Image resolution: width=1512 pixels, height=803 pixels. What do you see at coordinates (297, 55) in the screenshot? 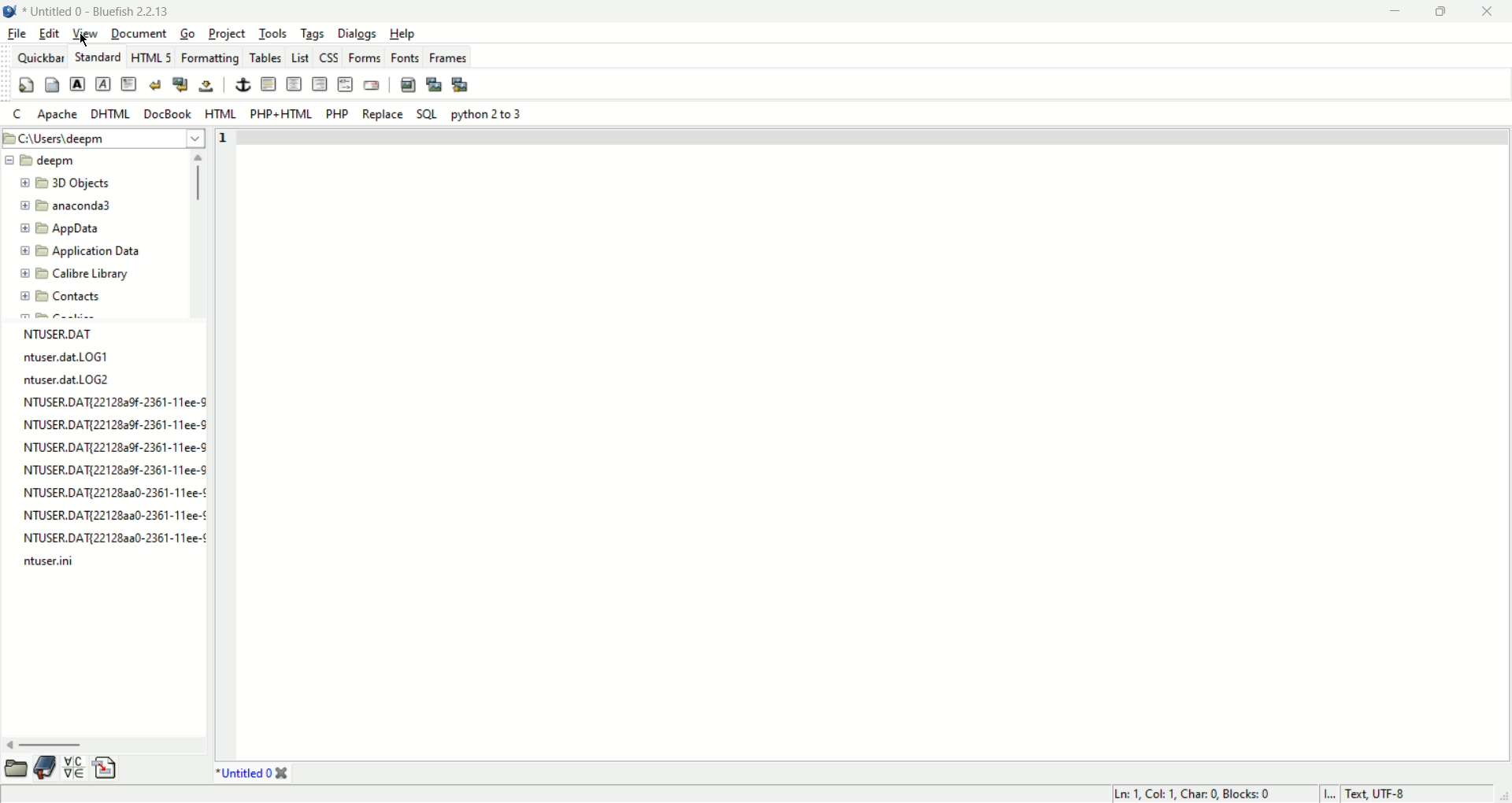
I see `list` at bounding box center [297, 55].